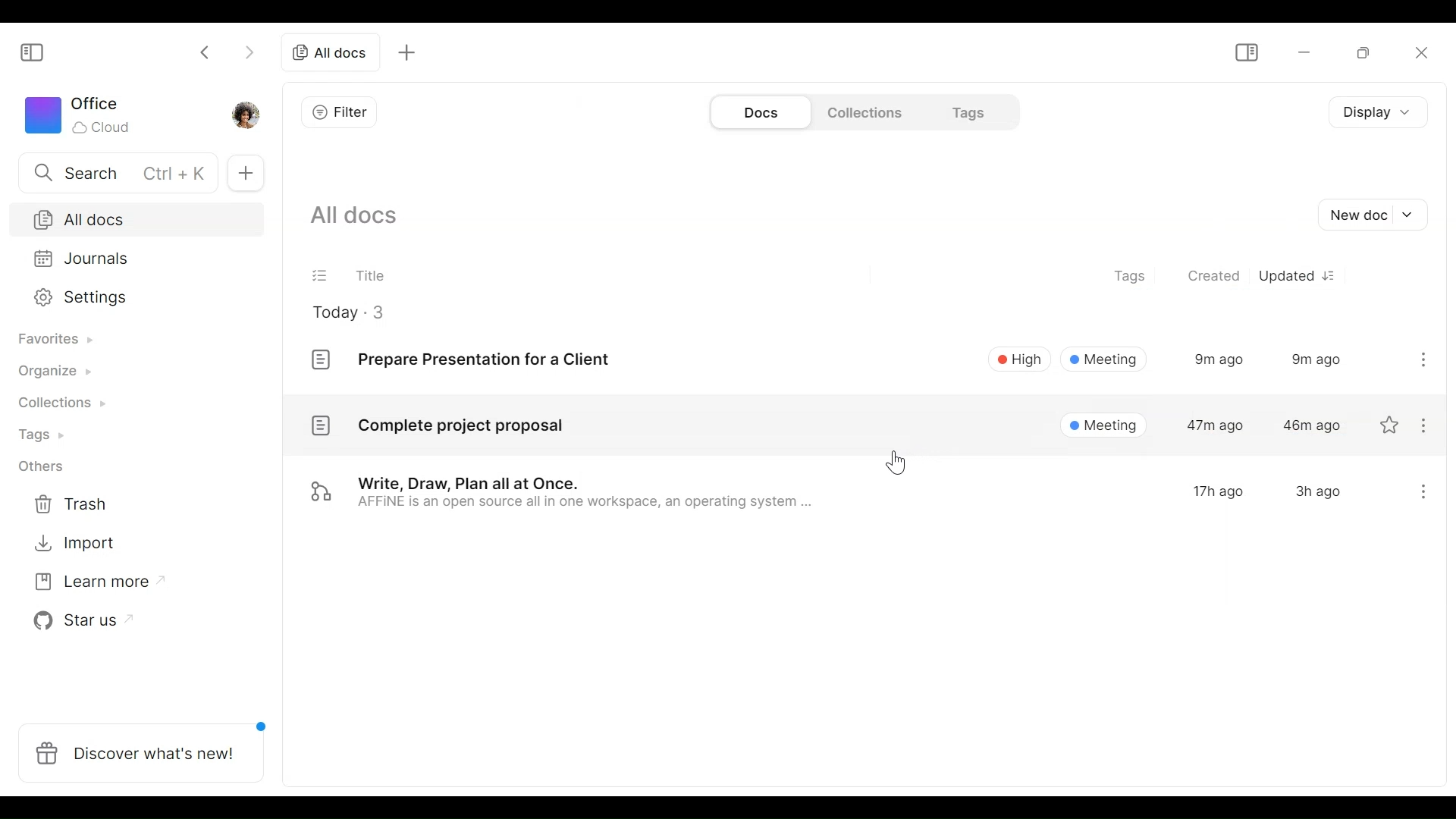 The height and width of the screenshot is (819, 1456). What do you see at coordinates (1103, 425) in the screenshot?
I see `Meeting` at bounding box center [1103, 425].